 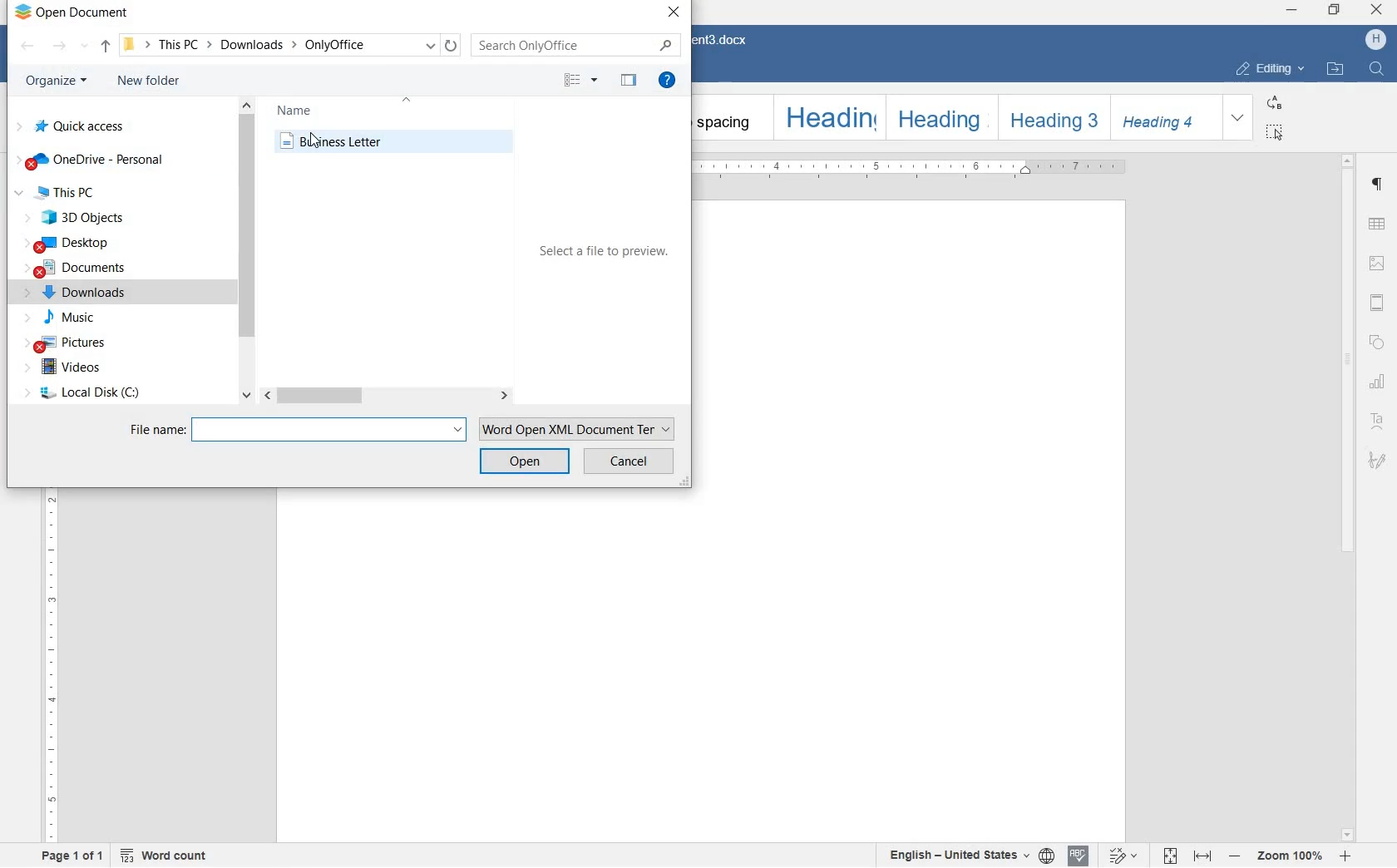 What do you see at coordinates (672, 12) in the screenshot?
I see `close` at bounding box center [672, 12].